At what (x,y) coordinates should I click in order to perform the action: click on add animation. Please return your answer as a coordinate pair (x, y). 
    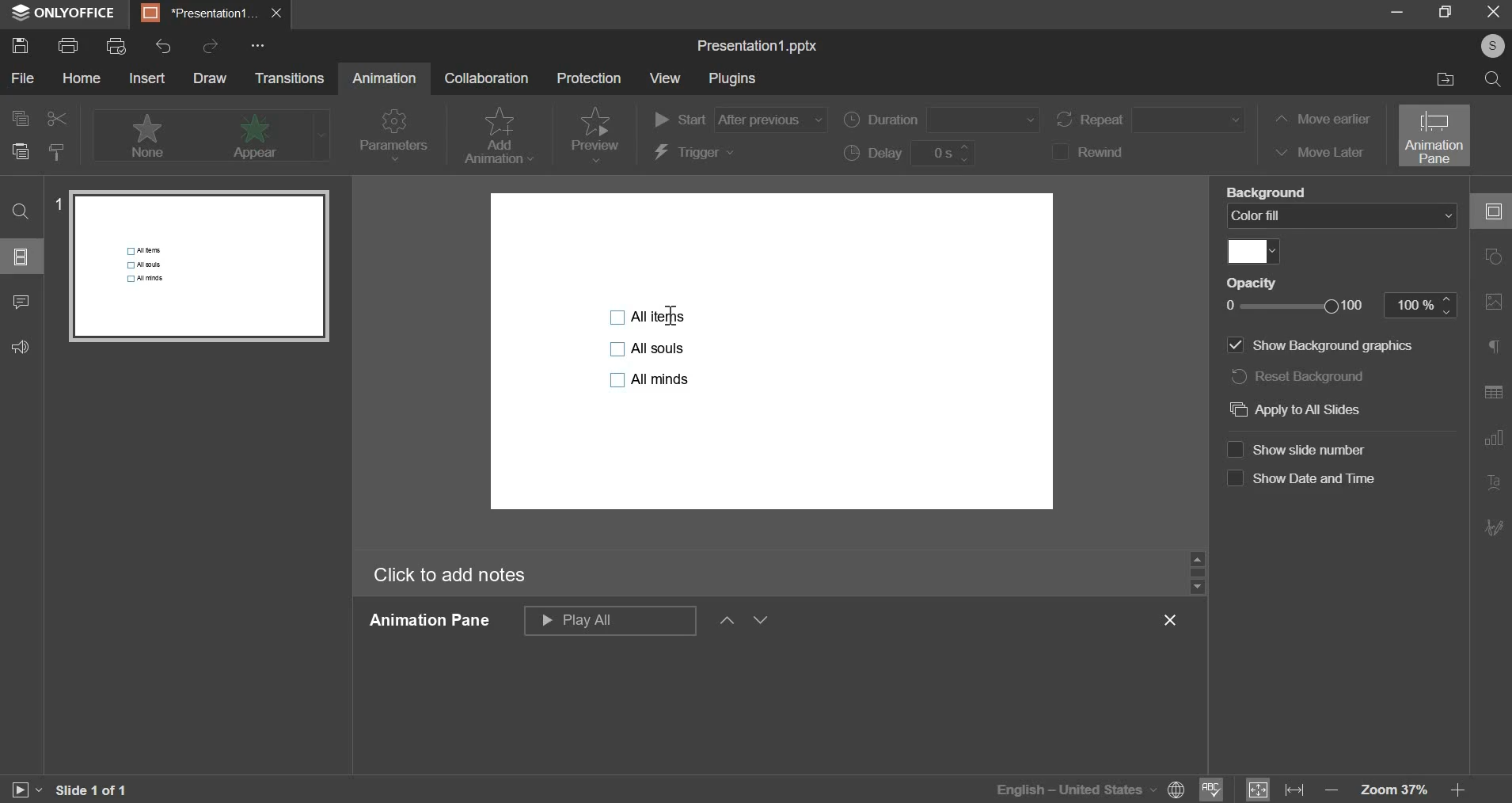
    Looking at the image, I should click on (497, 135).